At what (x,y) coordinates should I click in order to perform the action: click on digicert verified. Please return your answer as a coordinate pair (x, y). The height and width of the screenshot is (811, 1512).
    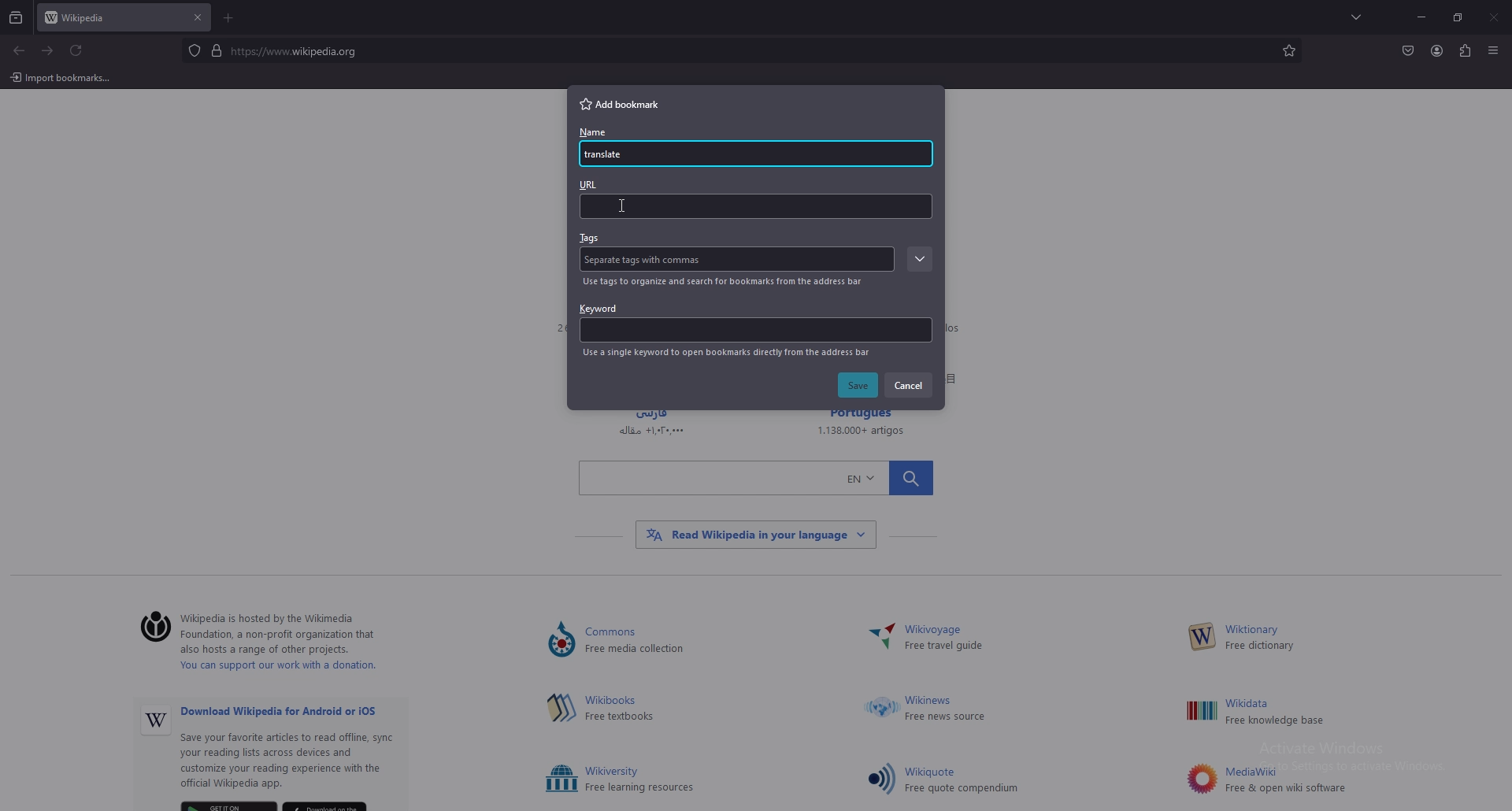
    Looking at the image, I should click on (218, 50).